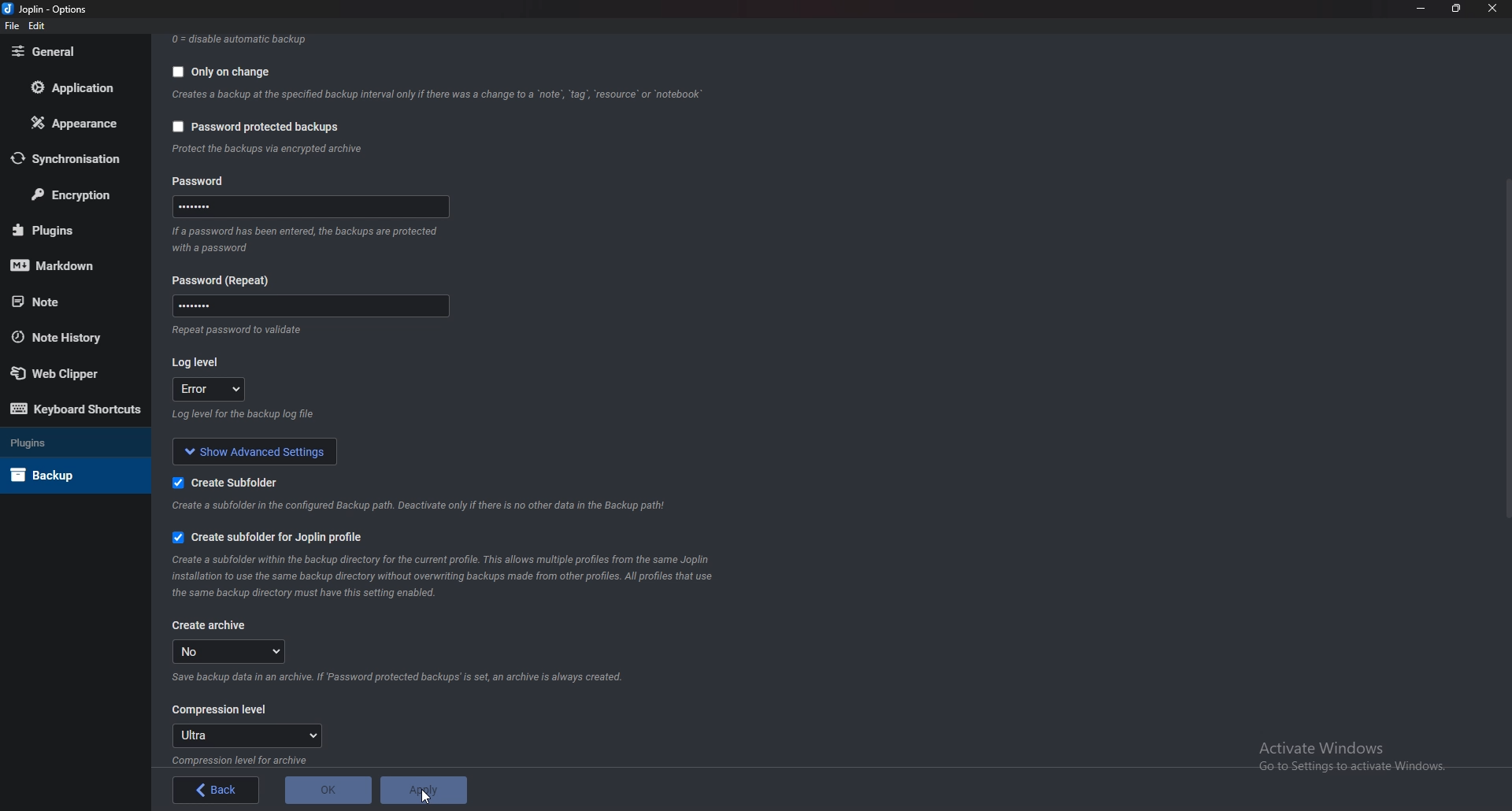 This screenshot has height=811, width=1512. Describe the element at coordinates (206, 183) in the screenshot. I see `Password` at that location.